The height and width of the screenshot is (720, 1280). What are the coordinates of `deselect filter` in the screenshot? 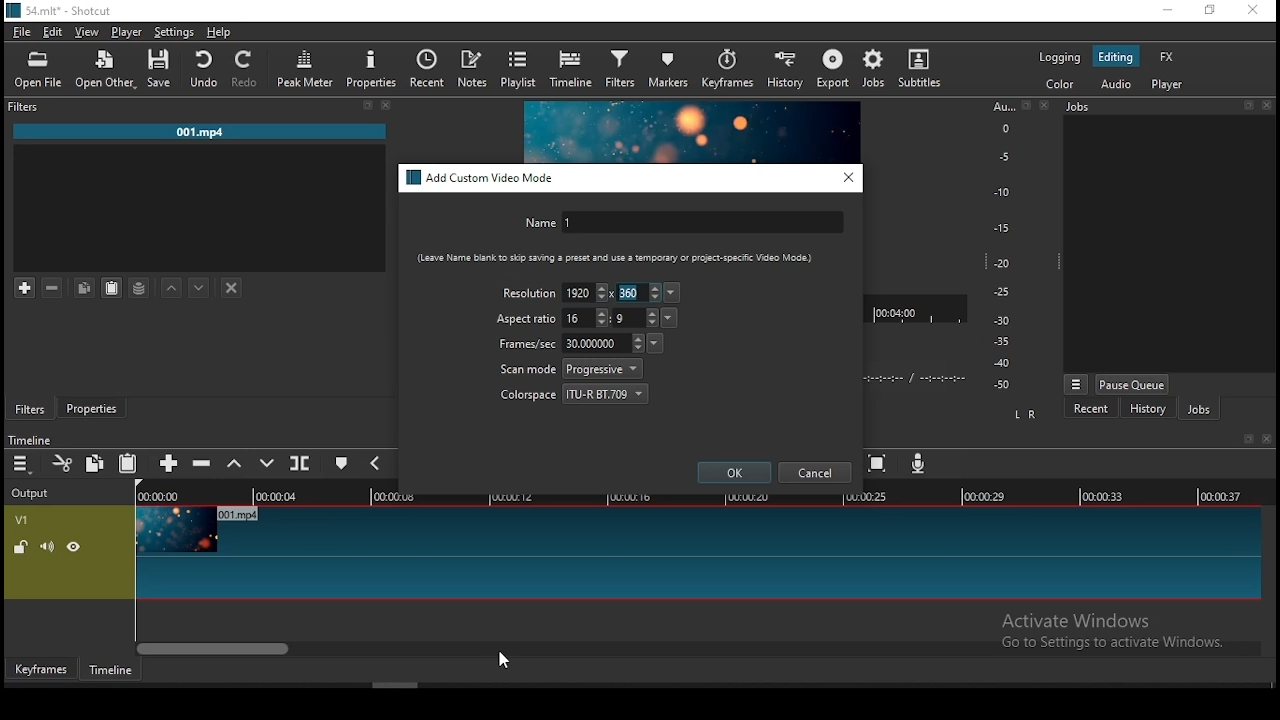 It's located at (233, 289).